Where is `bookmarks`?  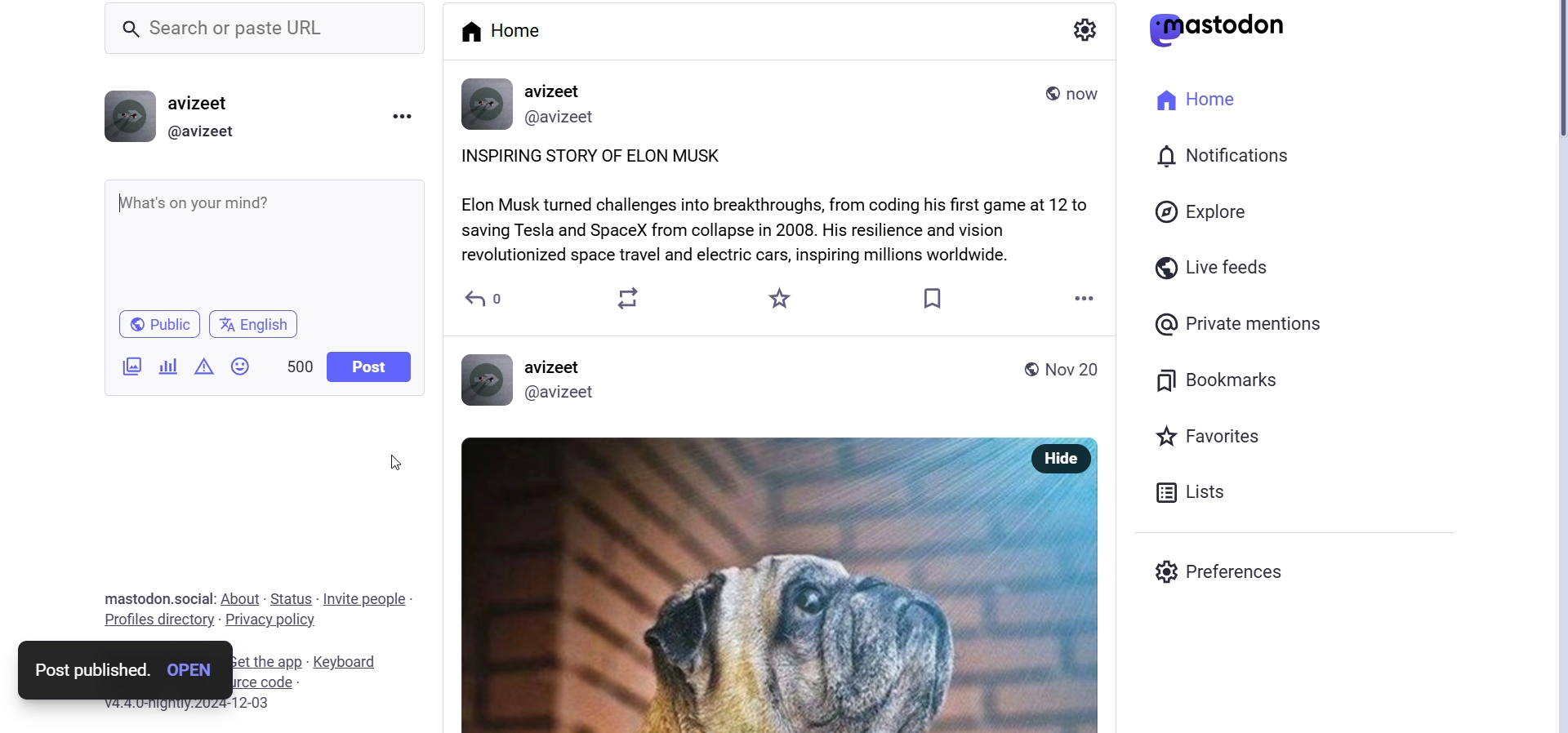 bookmarks is located at coordinates (934, 300).